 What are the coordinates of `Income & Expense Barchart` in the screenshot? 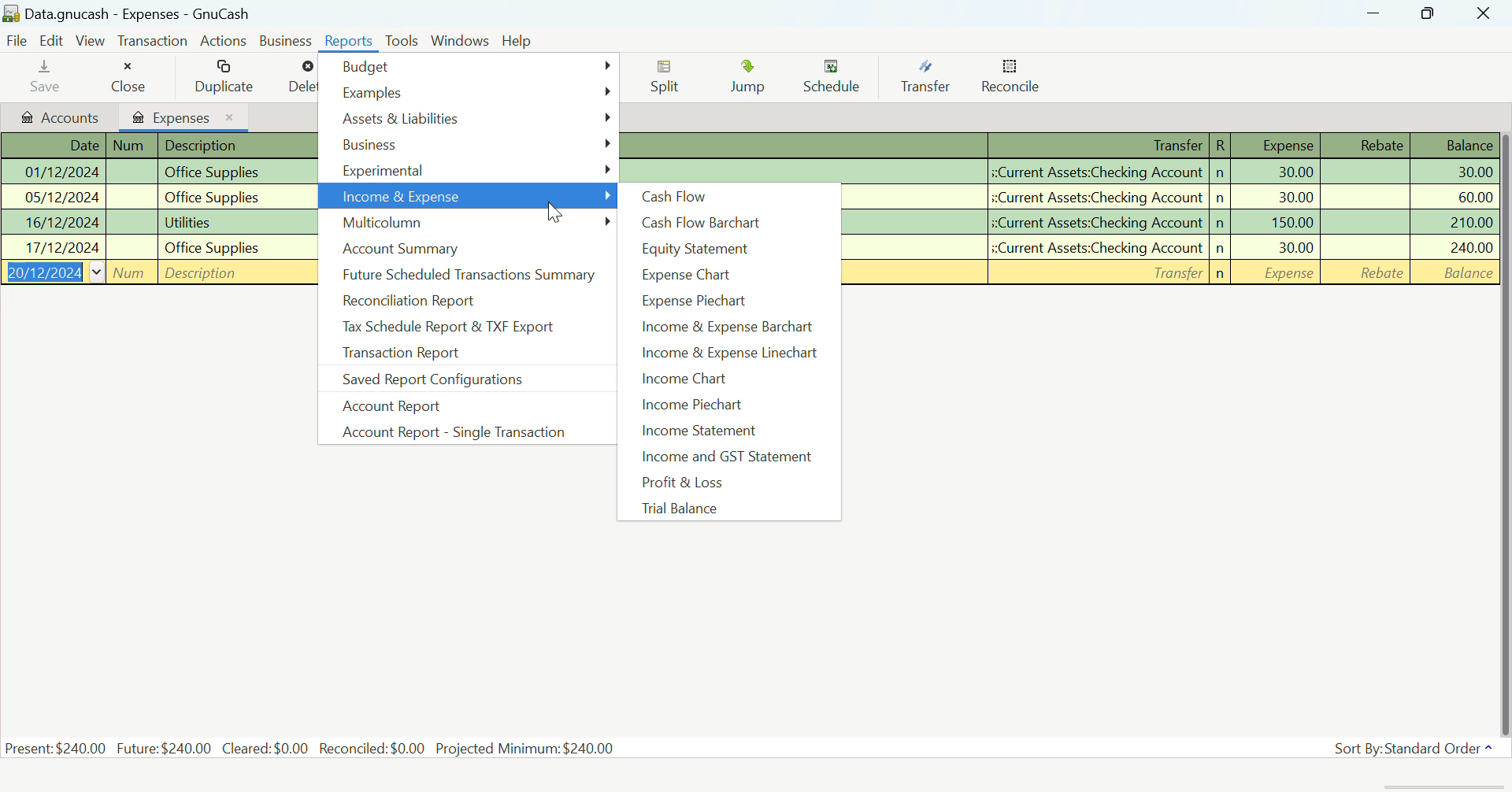 It's located at (729, 329).